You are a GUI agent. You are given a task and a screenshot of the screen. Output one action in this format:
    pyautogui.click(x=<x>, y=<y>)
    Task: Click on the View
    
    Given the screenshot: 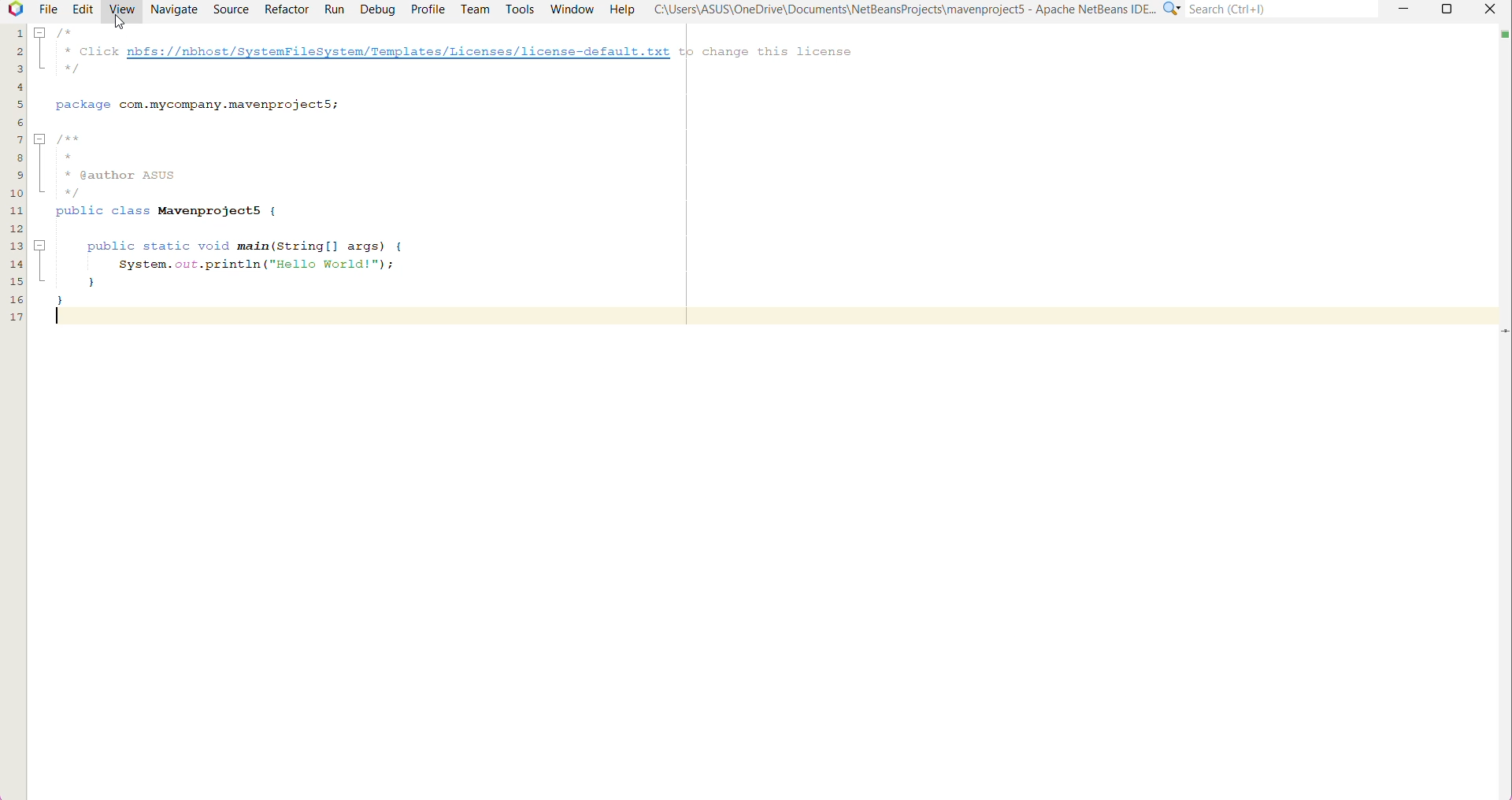 What is the action you would take?
    pyautogui.click(x=122, y=12)
    